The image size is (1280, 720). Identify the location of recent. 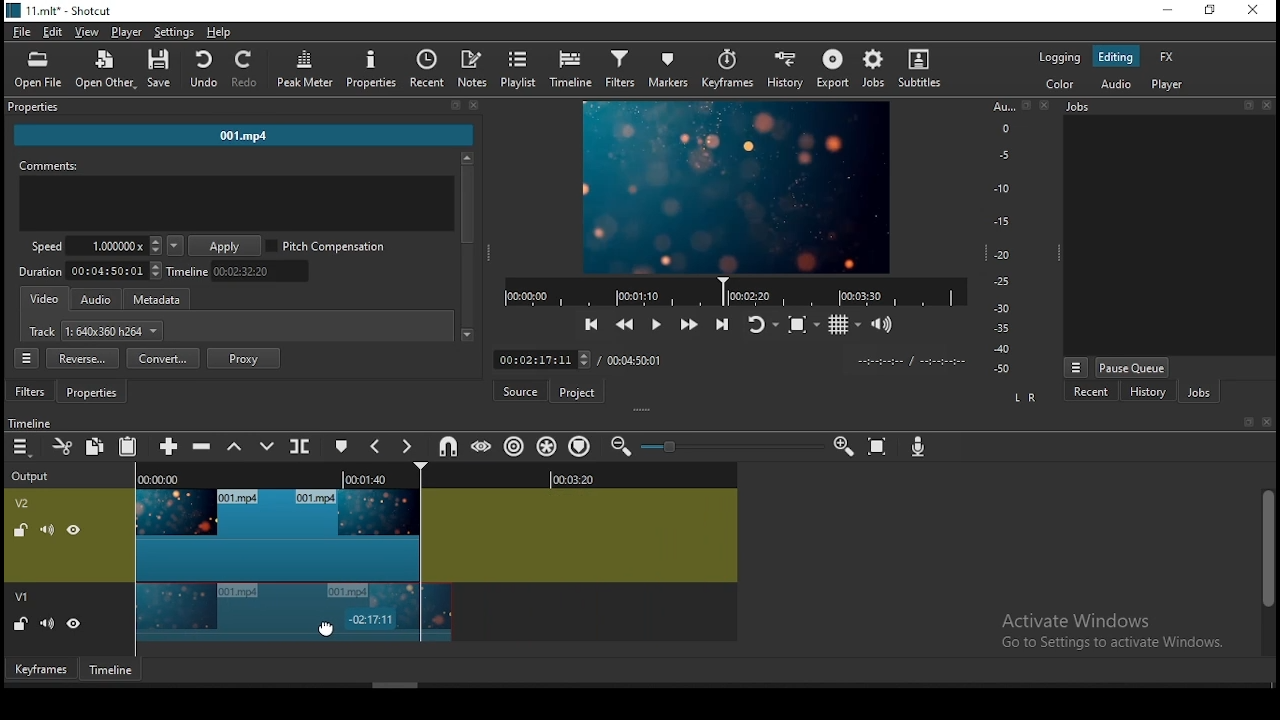
(428, 69).